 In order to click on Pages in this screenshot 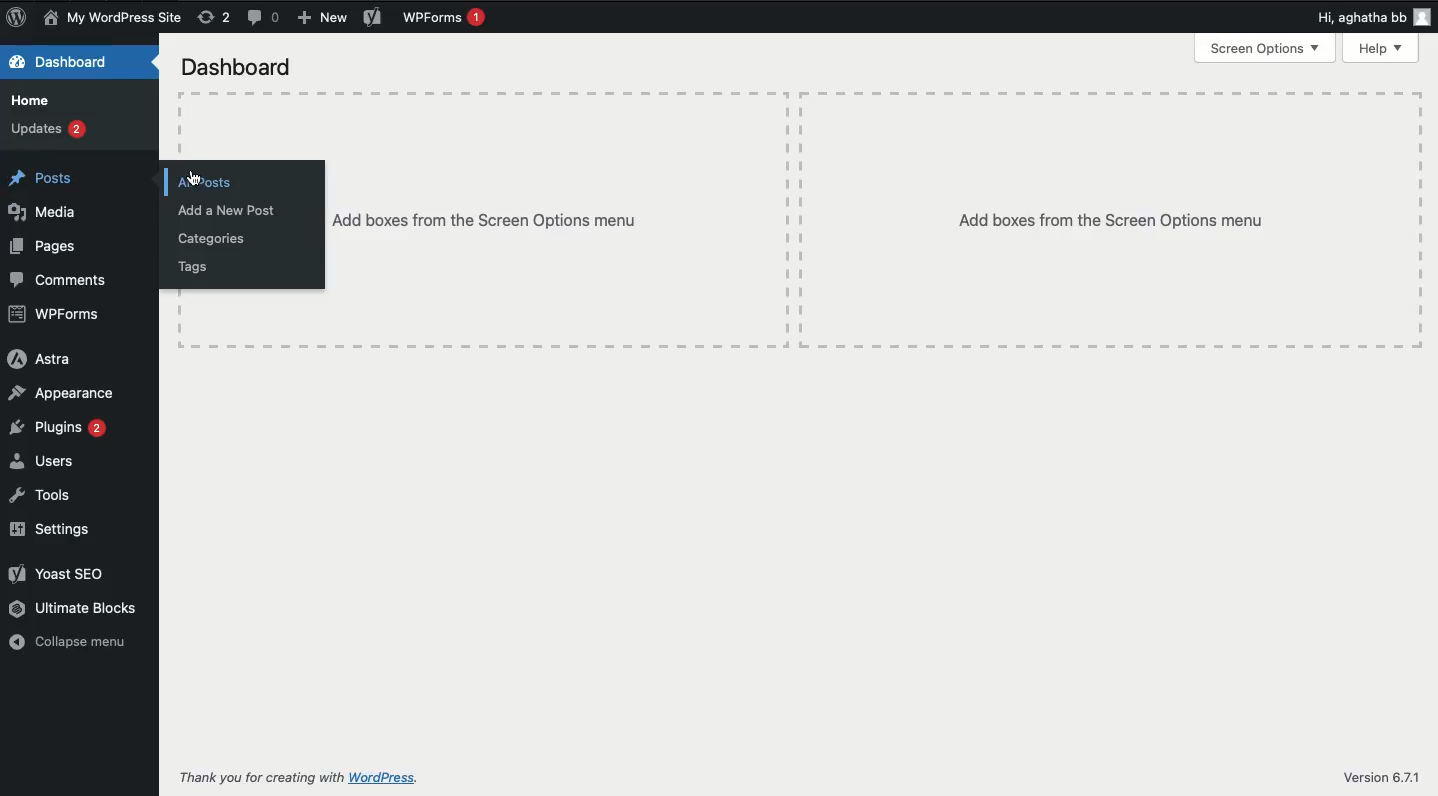, I will do `click(45, 247)`.